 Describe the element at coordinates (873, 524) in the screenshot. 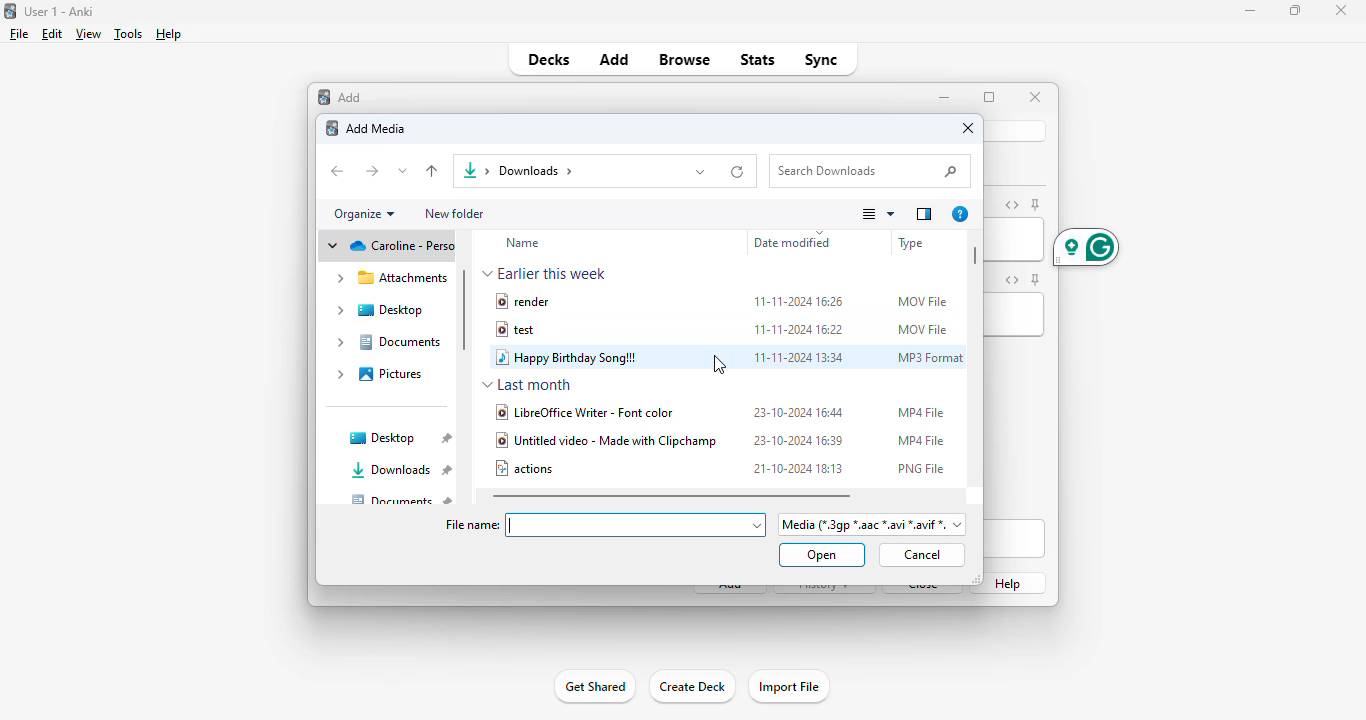

I see `file format` at that location.